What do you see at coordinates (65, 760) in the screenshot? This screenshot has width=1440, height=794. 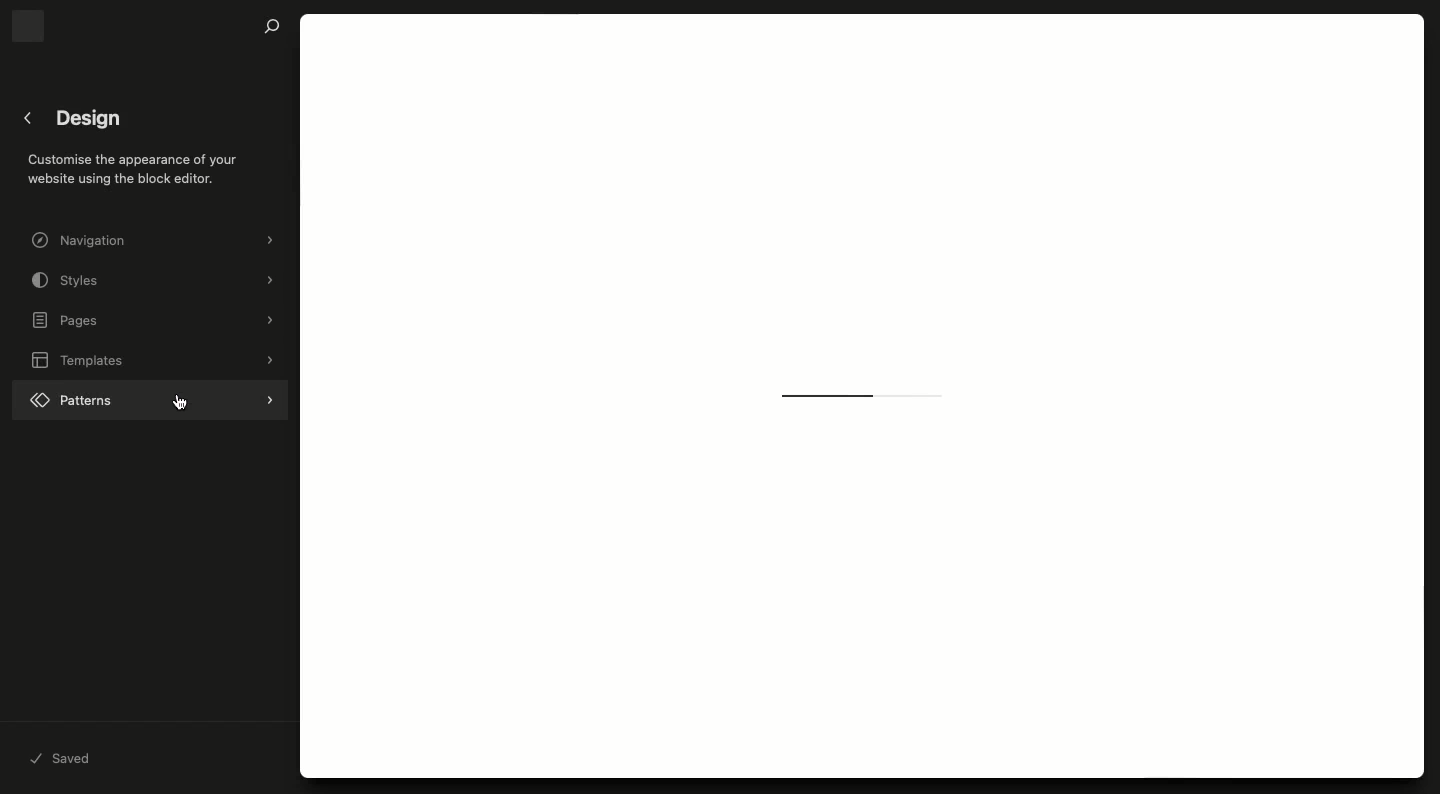 I see `Saved` at bounding box center [65, 760].